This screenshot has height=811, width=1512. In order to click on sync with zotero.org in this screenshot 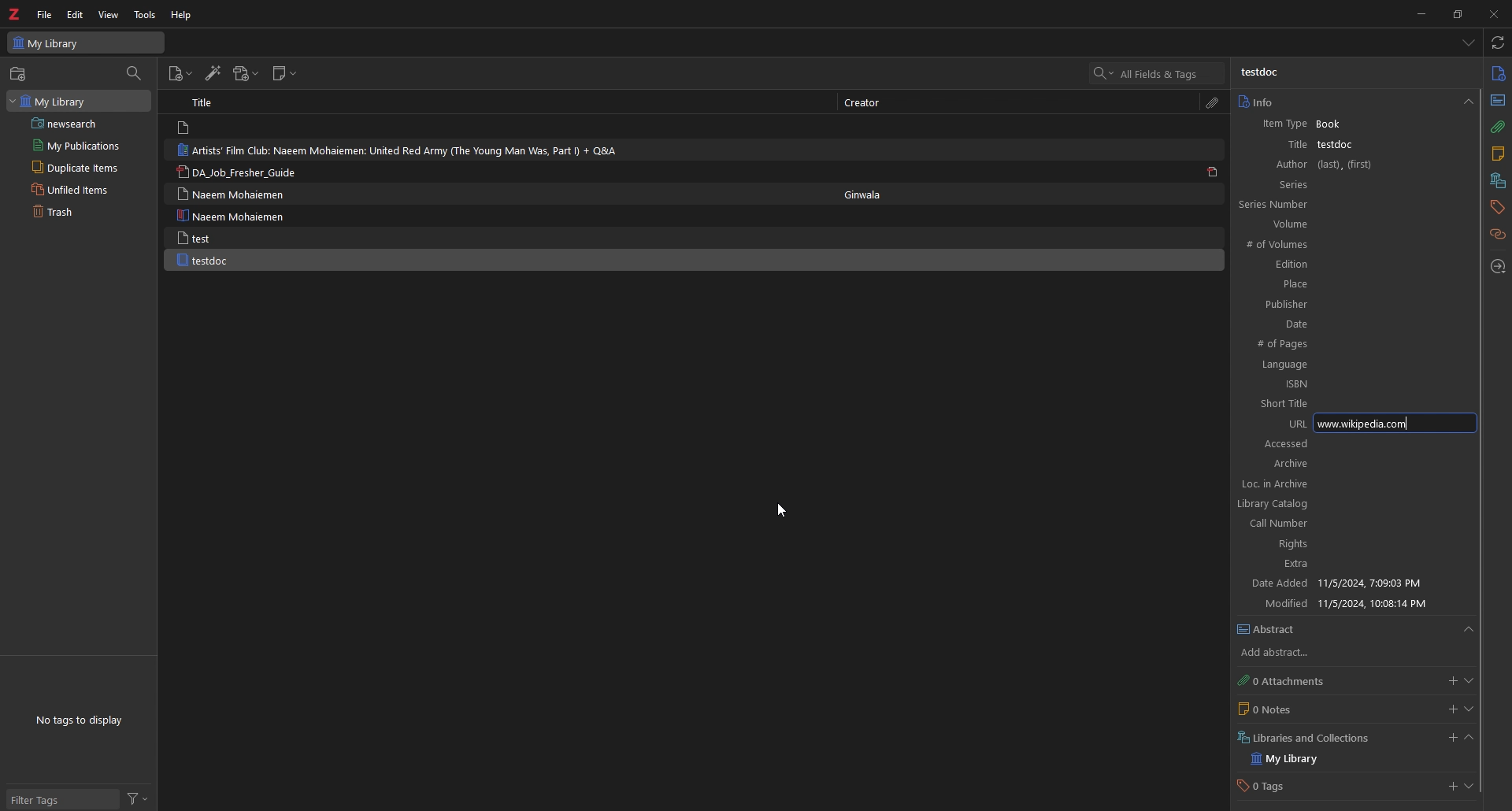, I will do `click(1497, 42)`.